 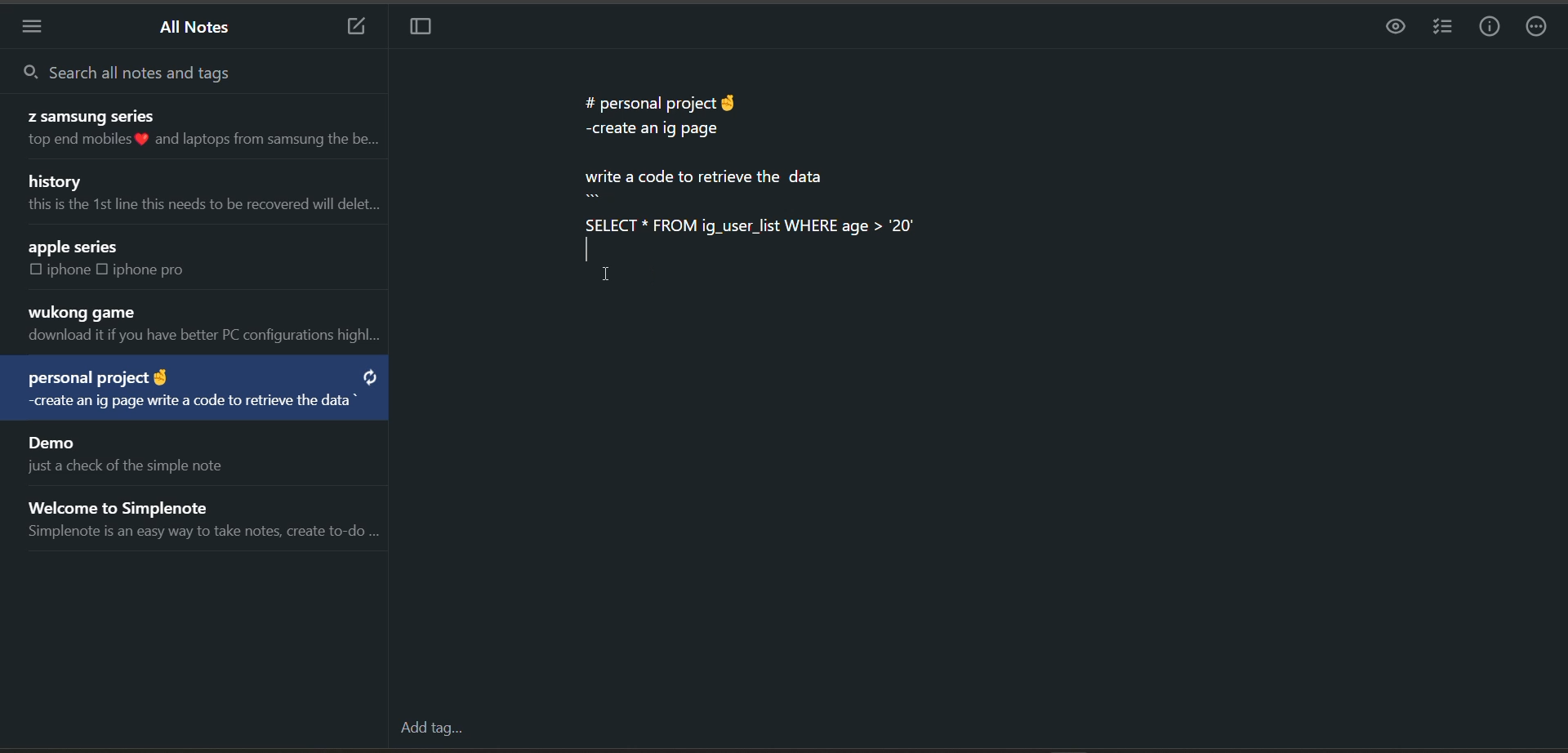 What do you see at coordinates (171, 70) in the screenshot?
I see `search all notes and tags` at bounding box center [171, 70].